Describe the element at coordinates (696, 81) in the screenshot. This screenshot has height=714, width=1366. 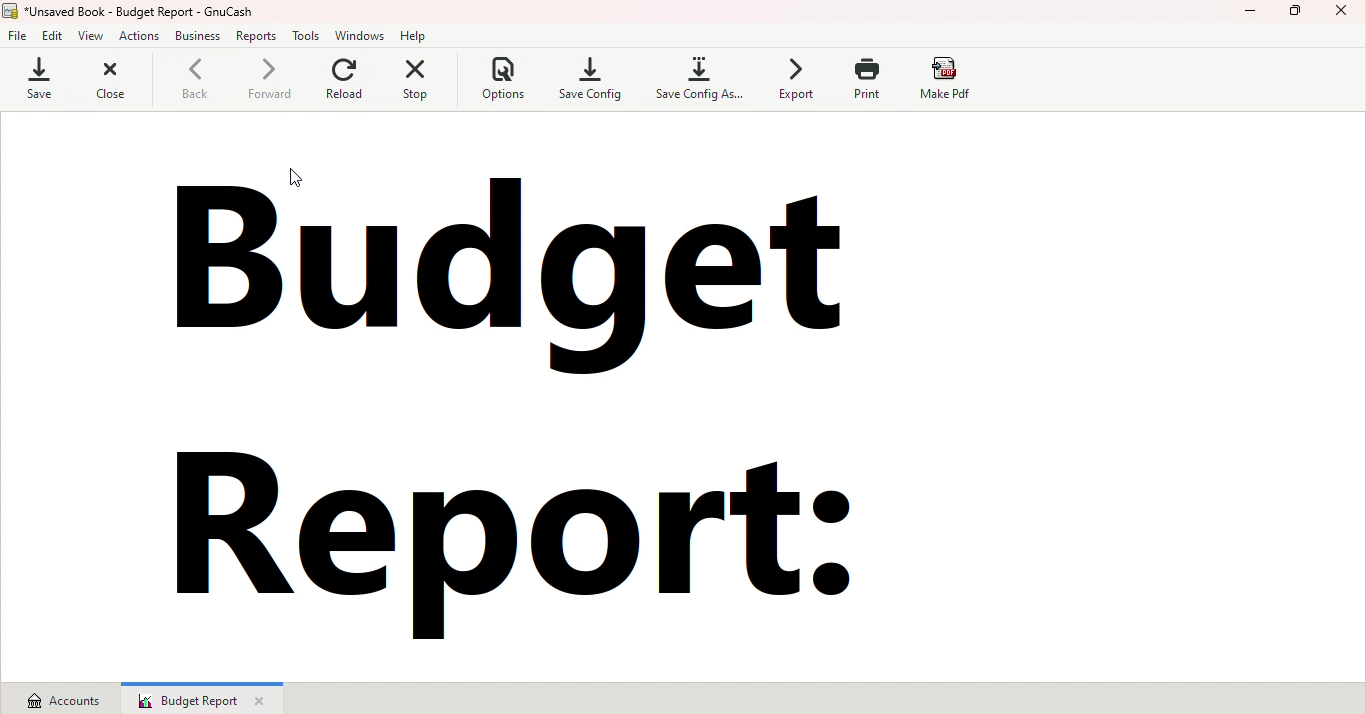
I see `Save config as` at that location.